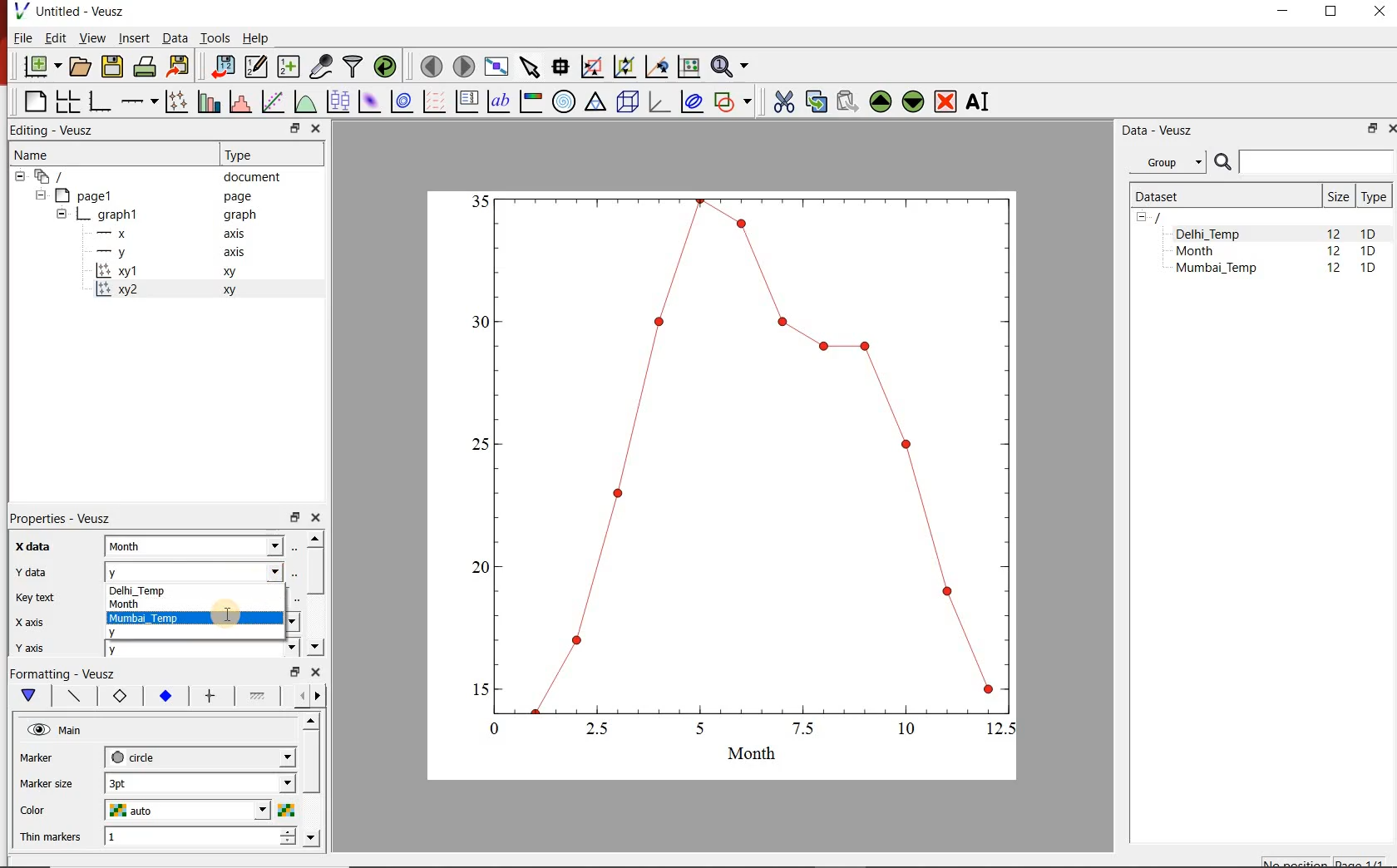 This screenshot has height=868, width=1397. Describe the element at coordinates (200, 783) in the screenshot. I see `3pt` at that location.